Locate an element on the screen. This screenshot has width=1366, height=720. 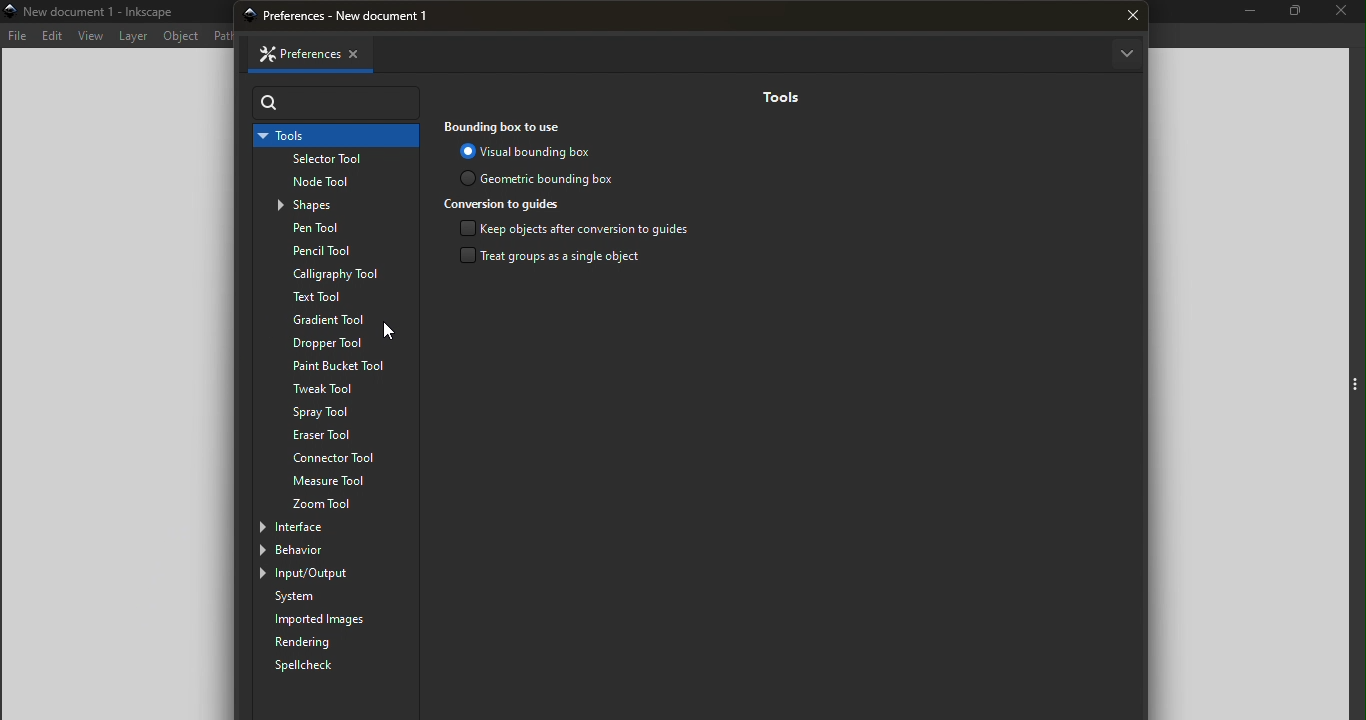
cursor is located at coordinates (392, 332).